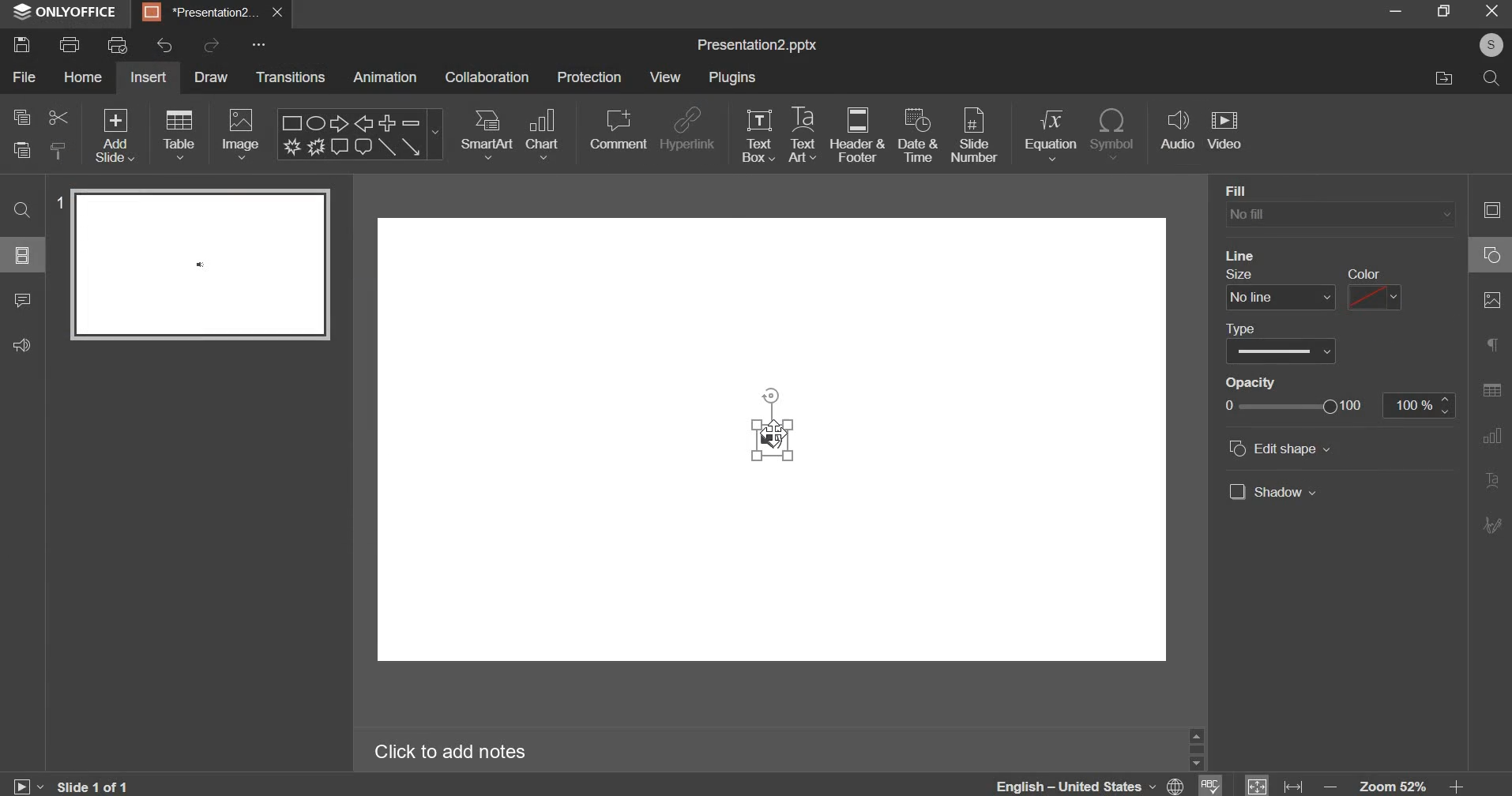 Image resolution: width=1512 pixels, height=796 pixels. What do you see at coordinates (116, 137) in the screenshot?
I see `add slide` at bounding box center [116, 137].